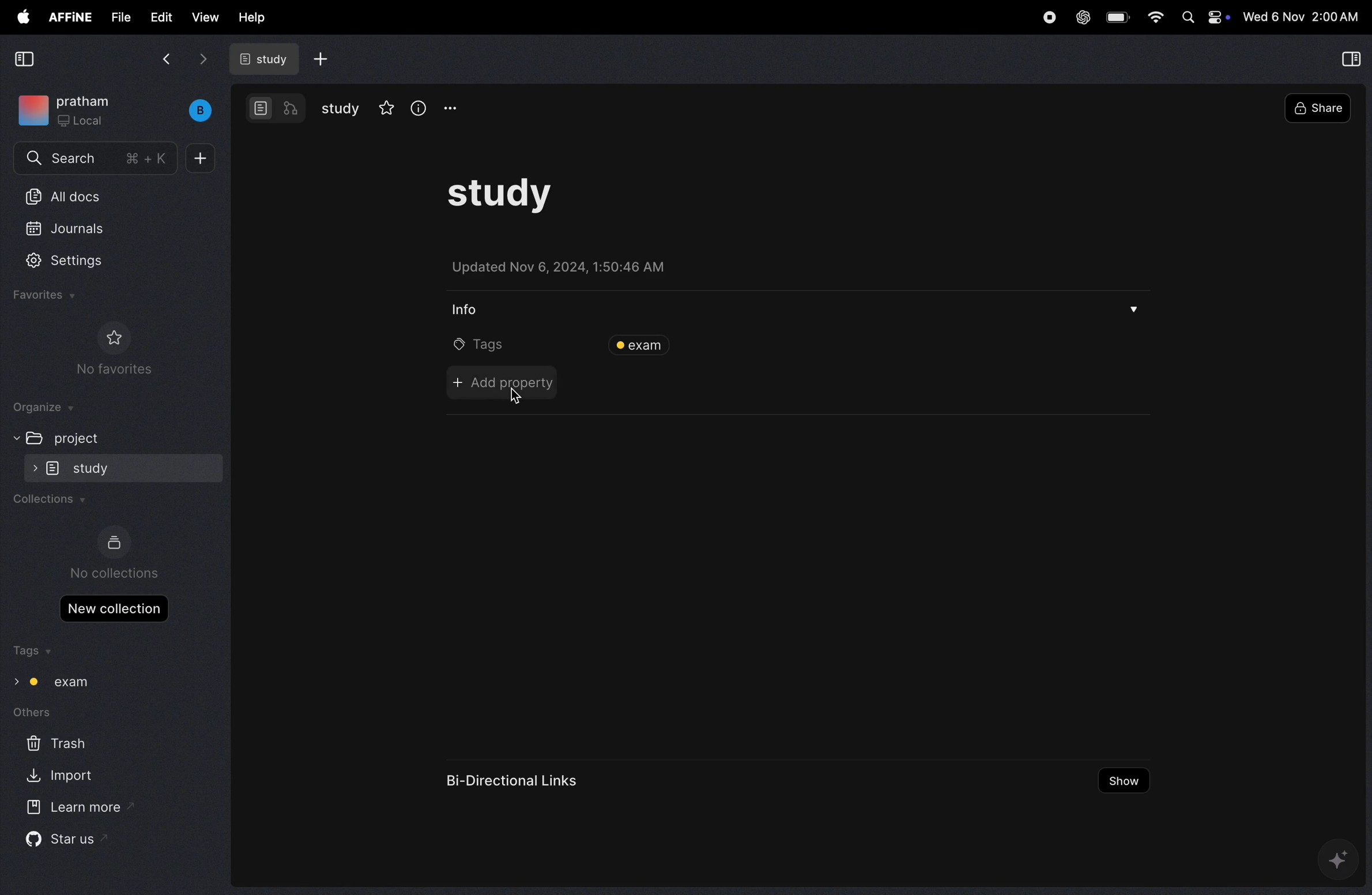  Describe the element at coordinates (325, 59) in the screenshot. I see `add` at that location.